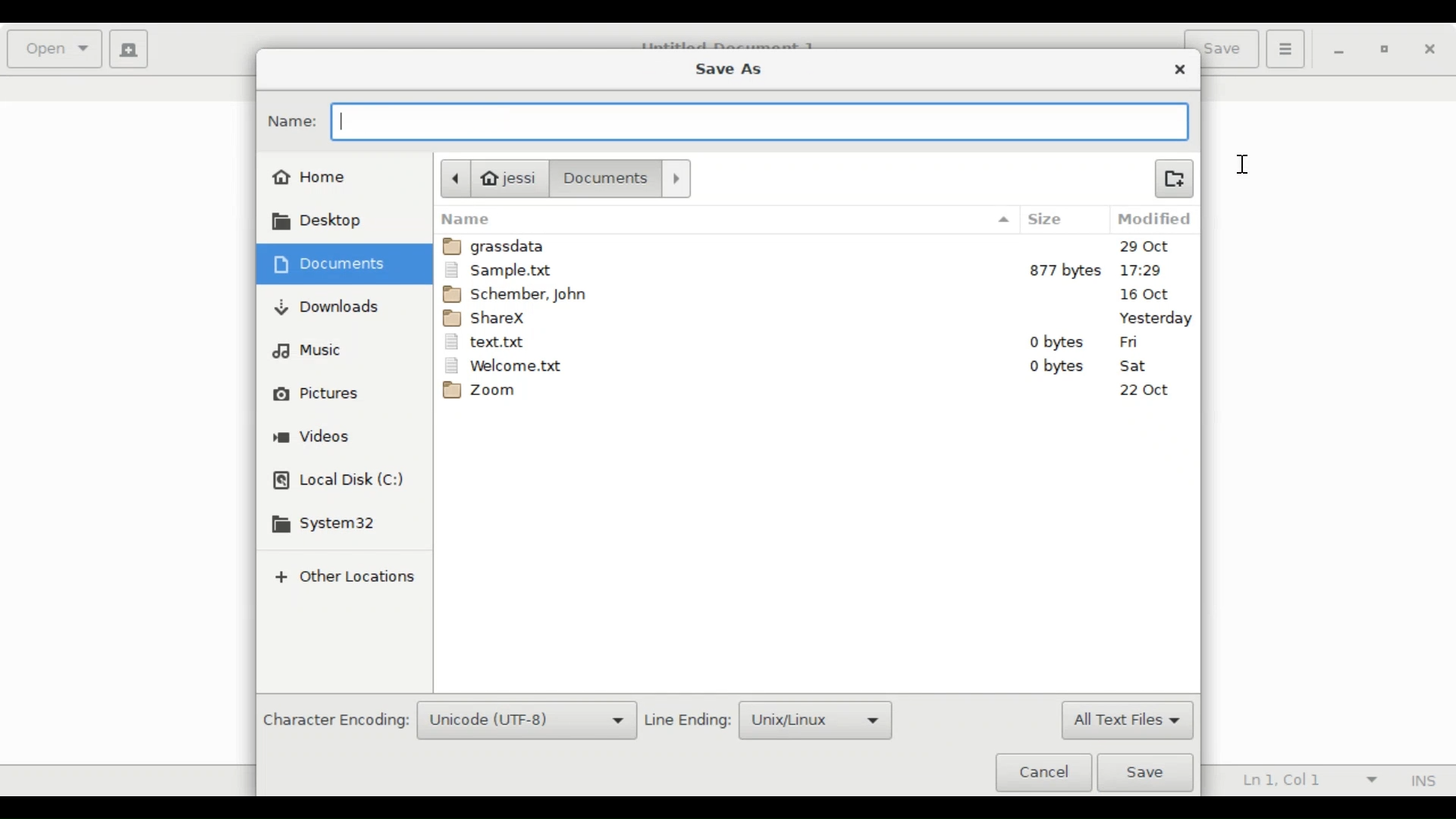  Describe the element at coordinates (1305, 781) in the screenshot. I see `Ln 1, Col 1` at that location.